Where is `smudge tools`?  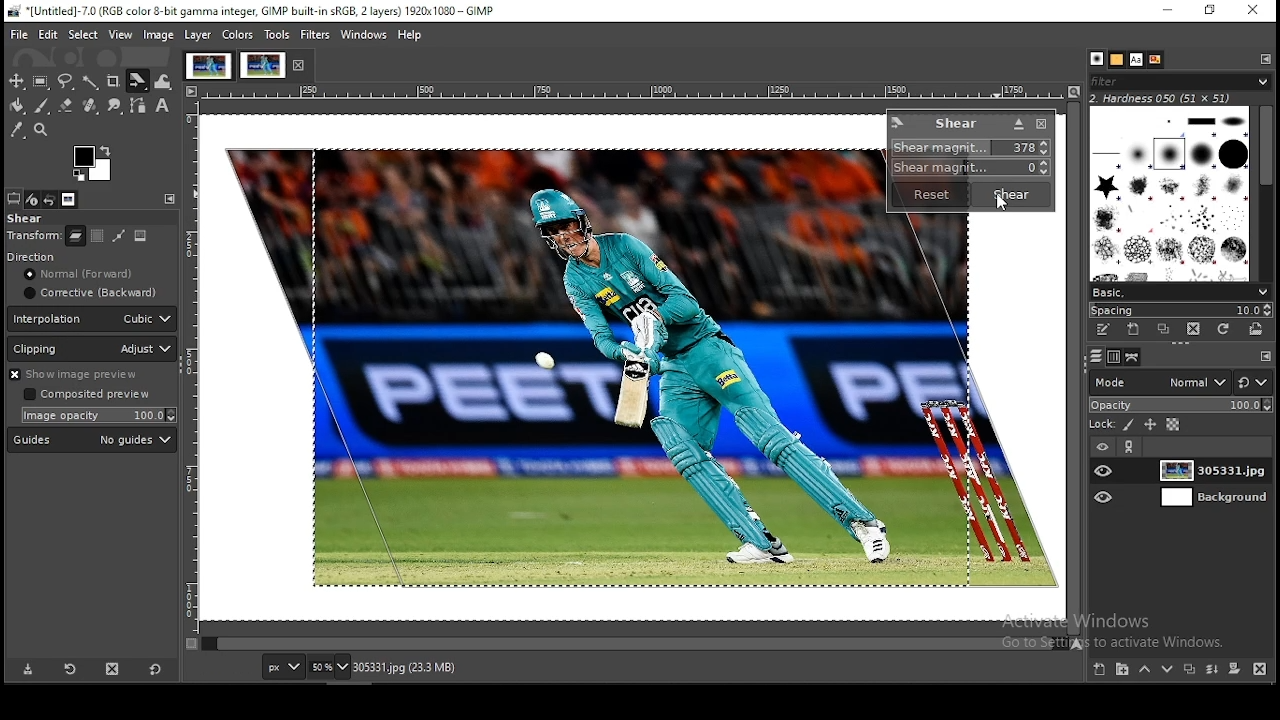
smudge tools is located at coordinates (113, 105).